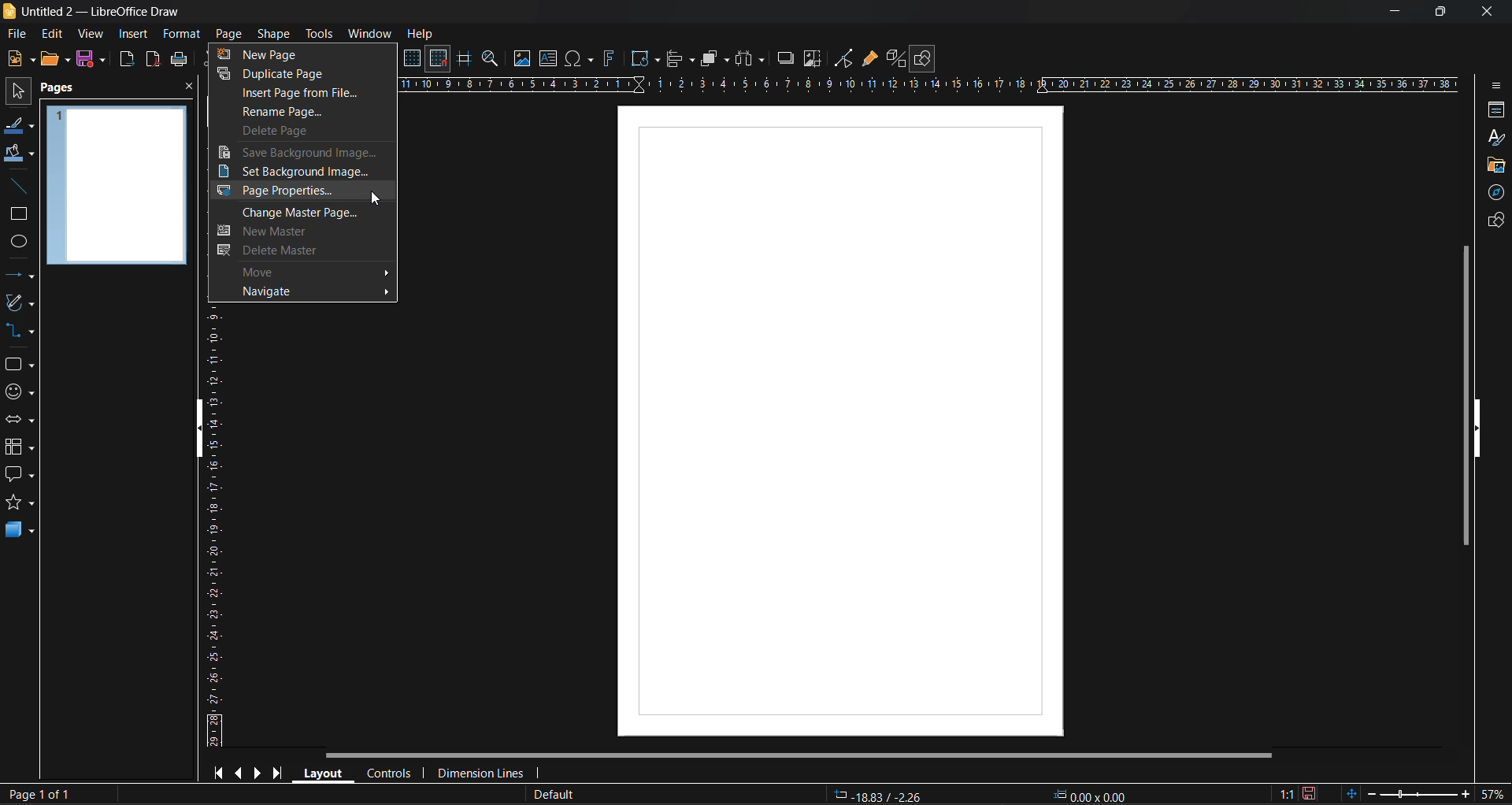 The width and height of the screenshot is (1512, 805). I want to click on shape, so click(273, 33).